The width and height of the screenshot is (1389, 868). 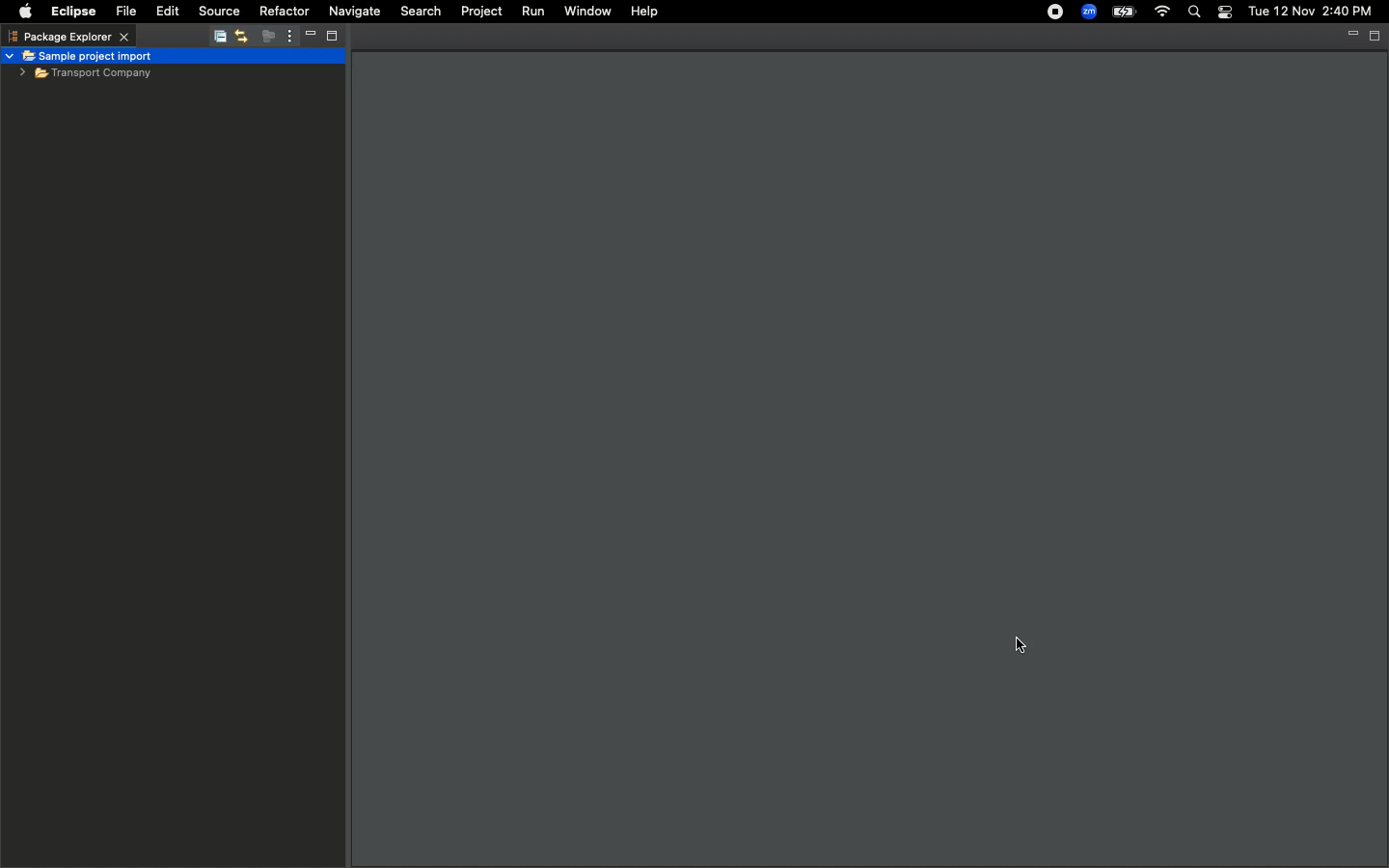 What do you see at coordinates (1126, 12) in the screenshot?
I see `Charge` at bounding box center [1126, 12].